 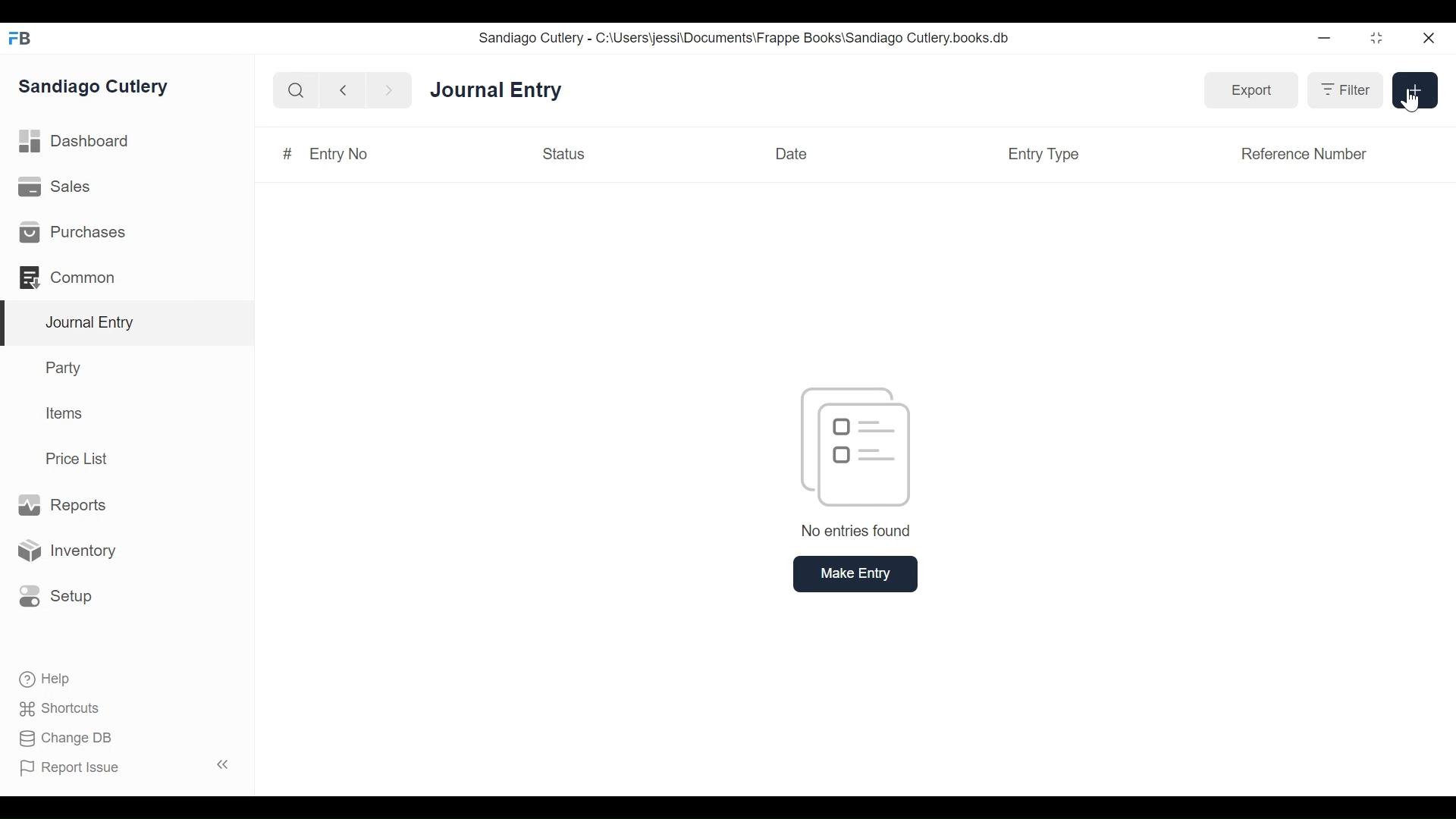 What do you see at coordinates (82, 459) in the screenshot?
I see `Price List` at bounding box center [82, 459].